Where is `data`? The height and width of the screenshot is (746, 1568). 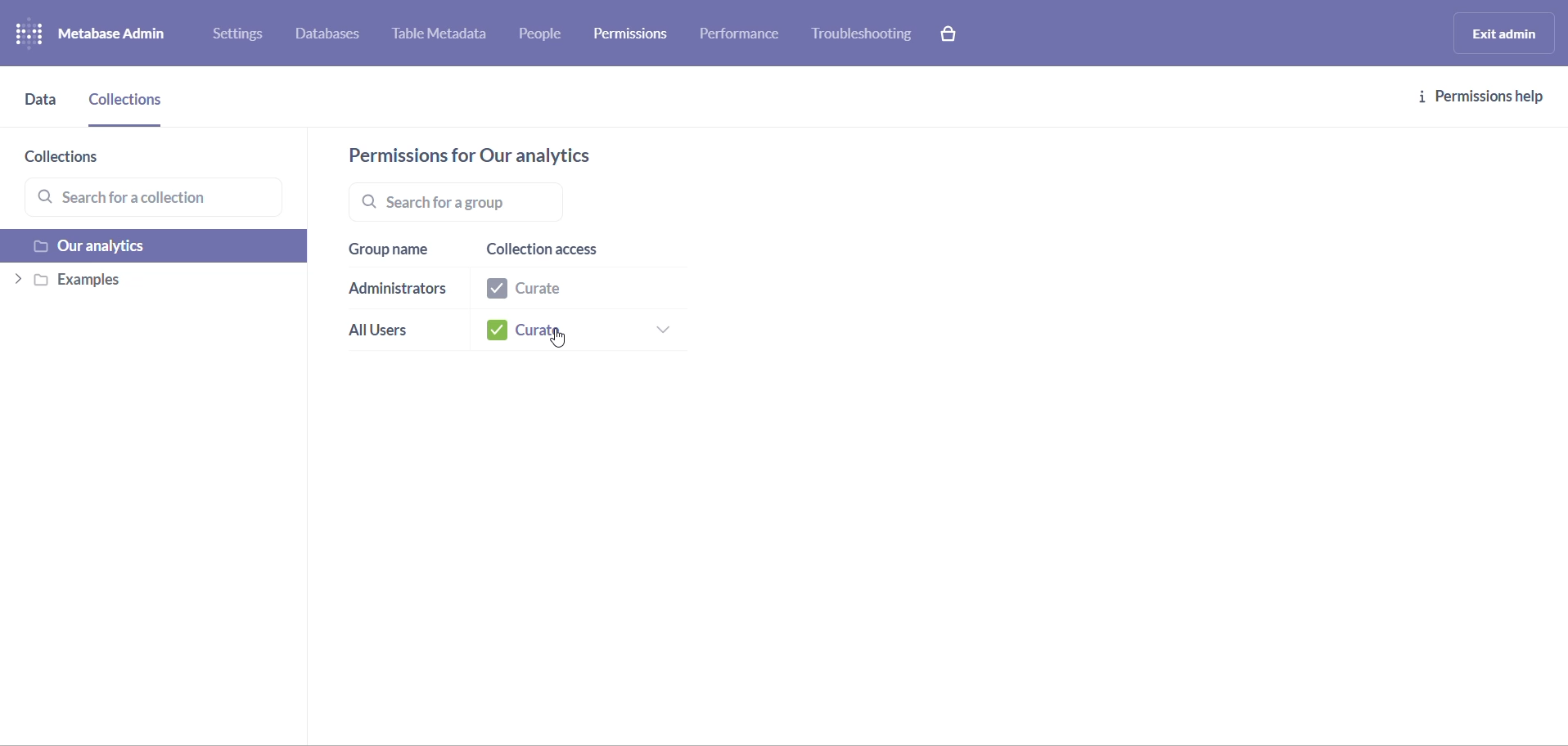 data is located at coordinates (42, 108).